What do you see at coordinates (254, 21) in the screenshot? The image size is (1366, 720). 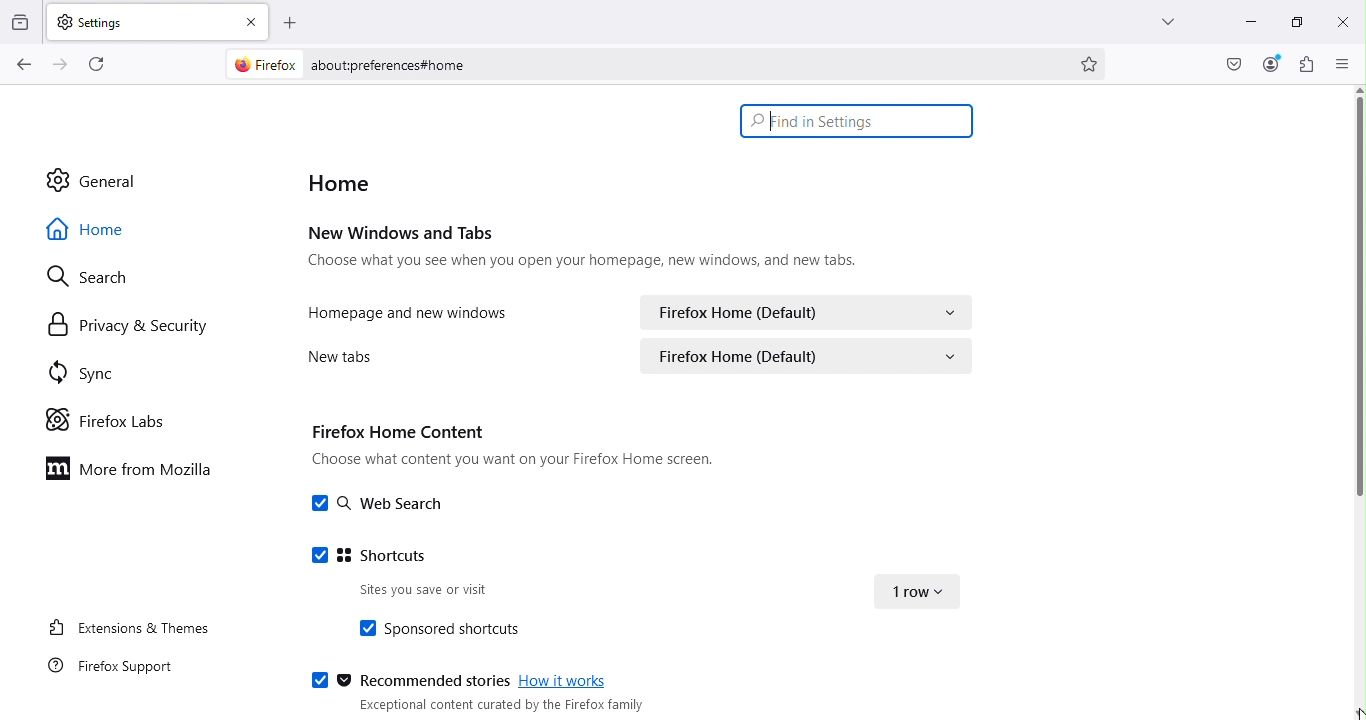 I see `Close tab` at bounding box center [254, 21].